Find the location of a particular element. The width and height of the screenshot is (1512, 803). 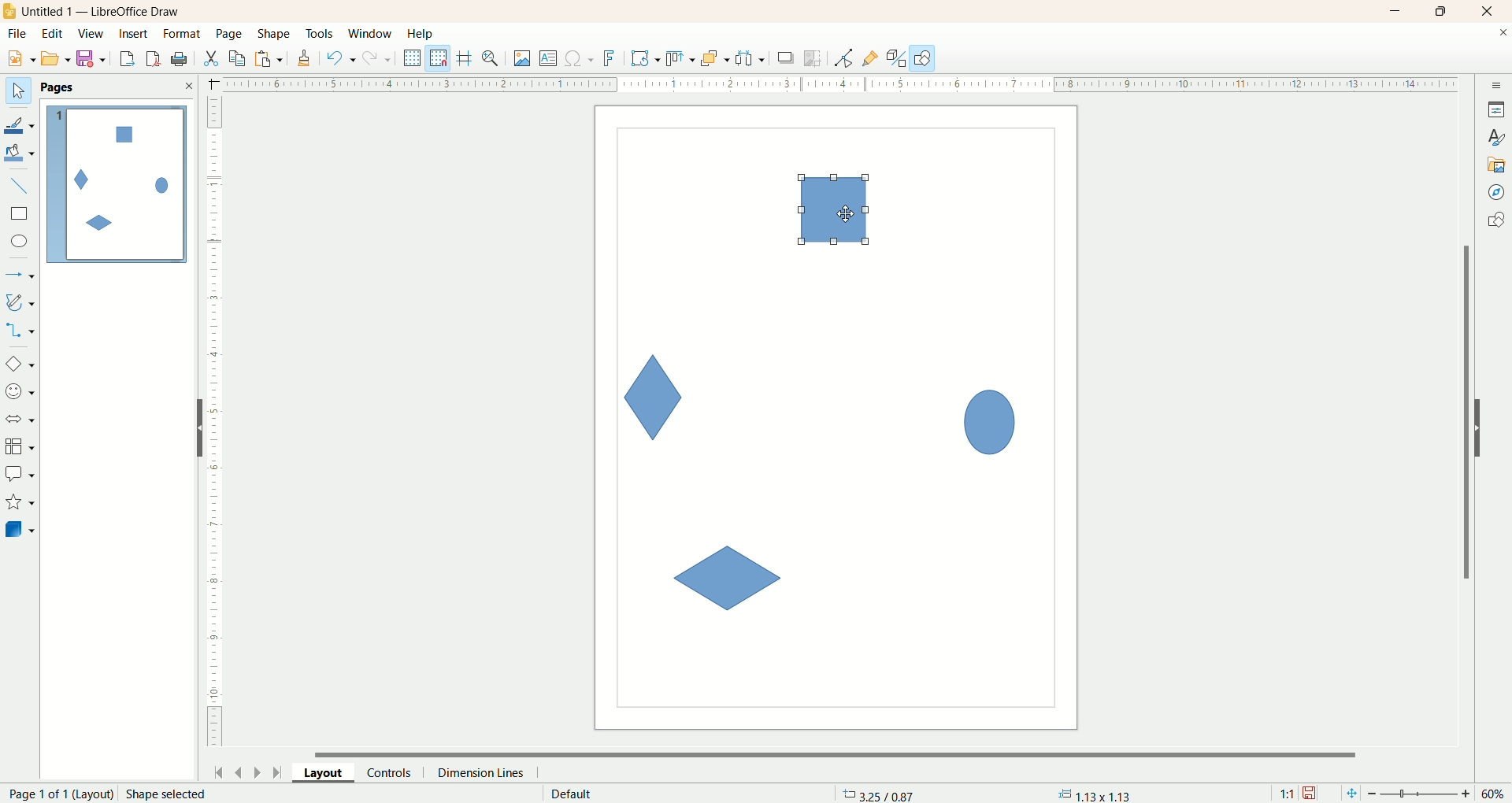

text box is located at coordinates (550, 60).